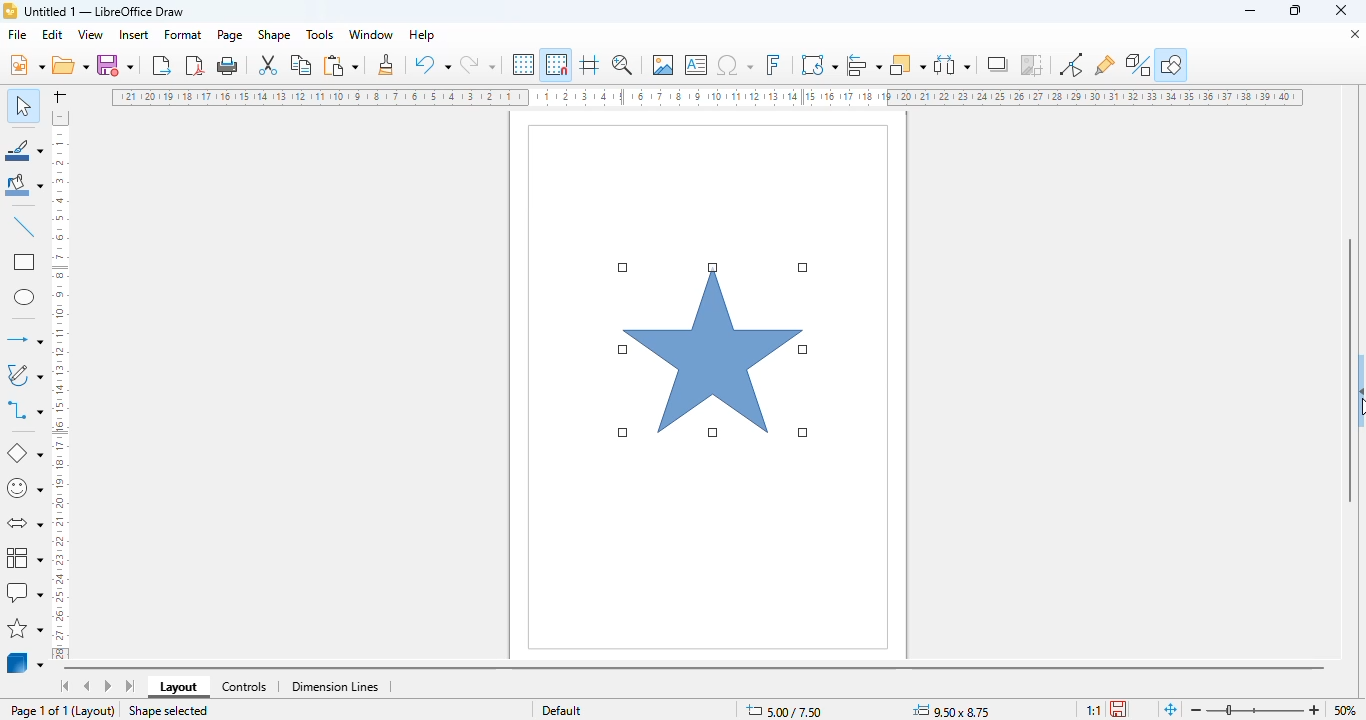  I want to click on edit, so click(52, 34).